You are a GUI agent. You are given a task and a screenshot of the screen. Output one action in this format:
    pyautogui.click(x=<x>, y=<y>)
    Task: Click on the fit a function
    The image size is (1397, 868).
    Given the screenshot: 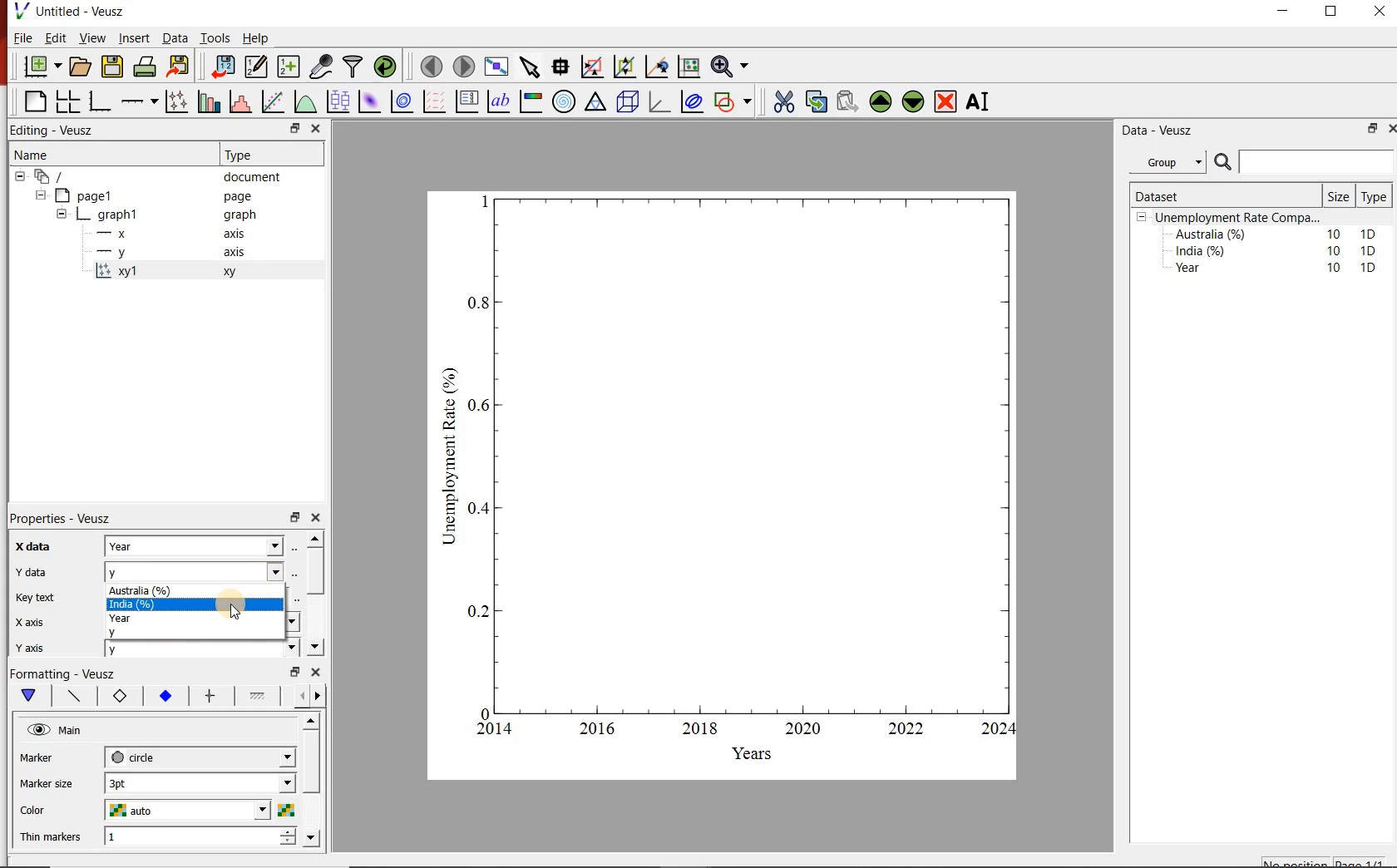 What is the action you would take?
    pyautogui.click(x=272, y=101)
    